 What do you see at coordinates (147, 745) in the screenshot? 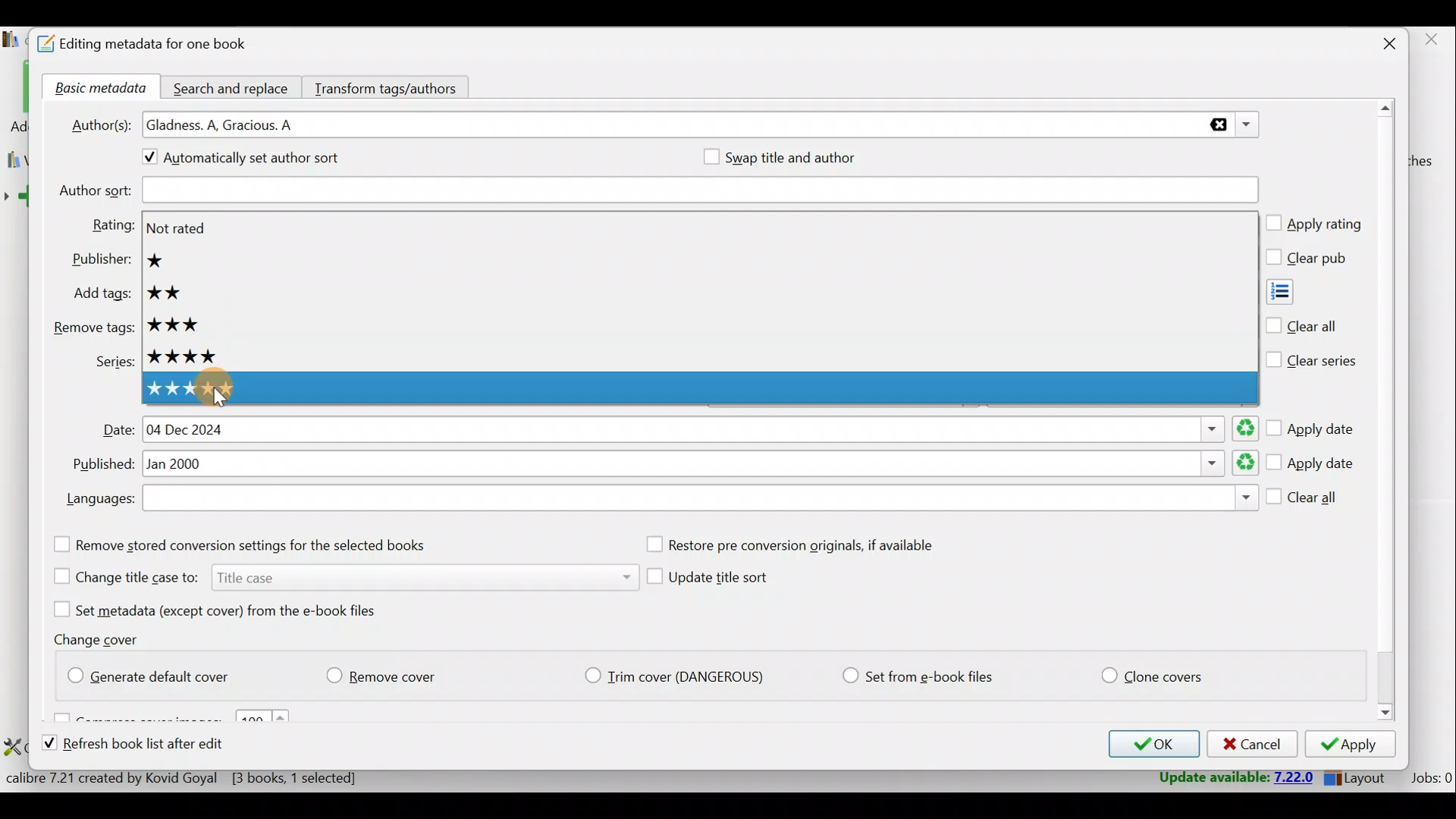
I see `Refresh book list after edit` at bounding box center [147, 745].